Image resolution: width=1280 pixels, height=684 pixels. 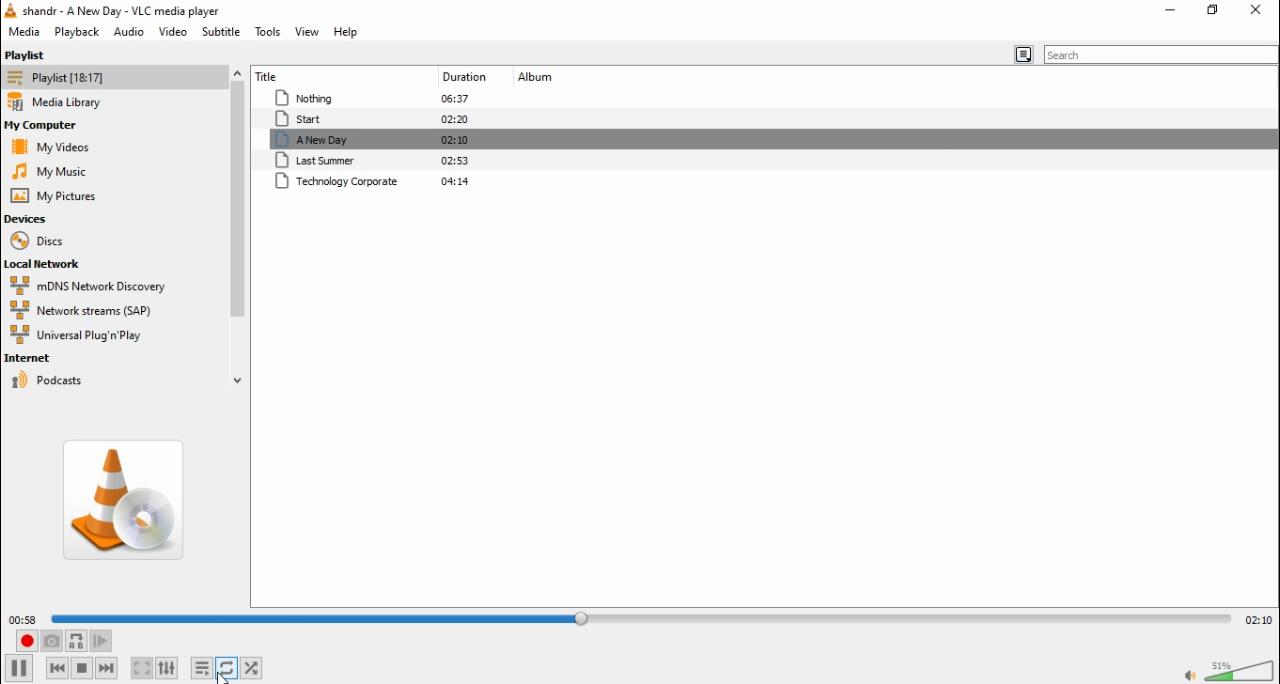 I want to click on my computer, so click(x=45, y=125).